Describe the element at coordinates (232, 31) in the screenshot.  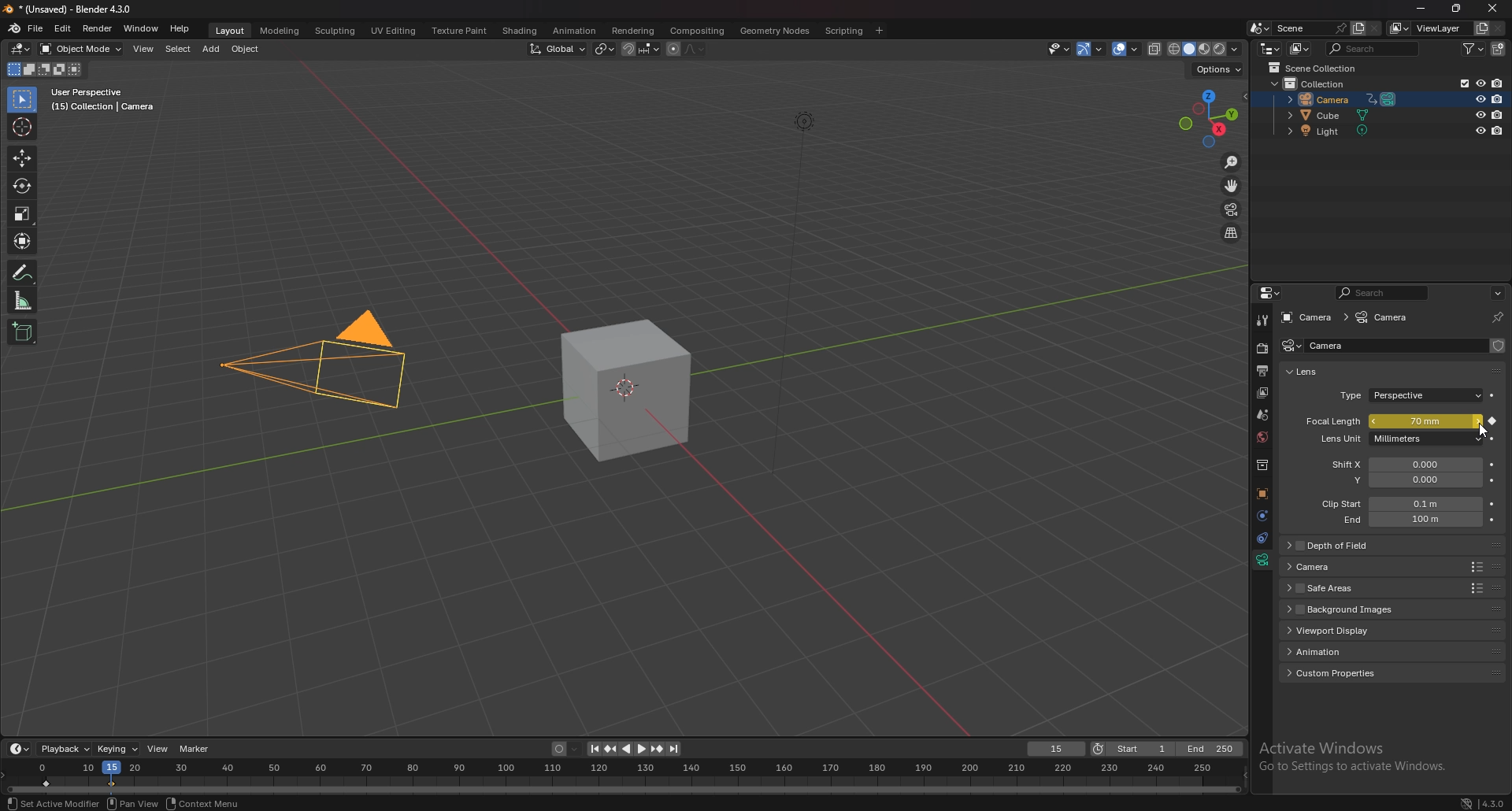
I see `layout` at that location.